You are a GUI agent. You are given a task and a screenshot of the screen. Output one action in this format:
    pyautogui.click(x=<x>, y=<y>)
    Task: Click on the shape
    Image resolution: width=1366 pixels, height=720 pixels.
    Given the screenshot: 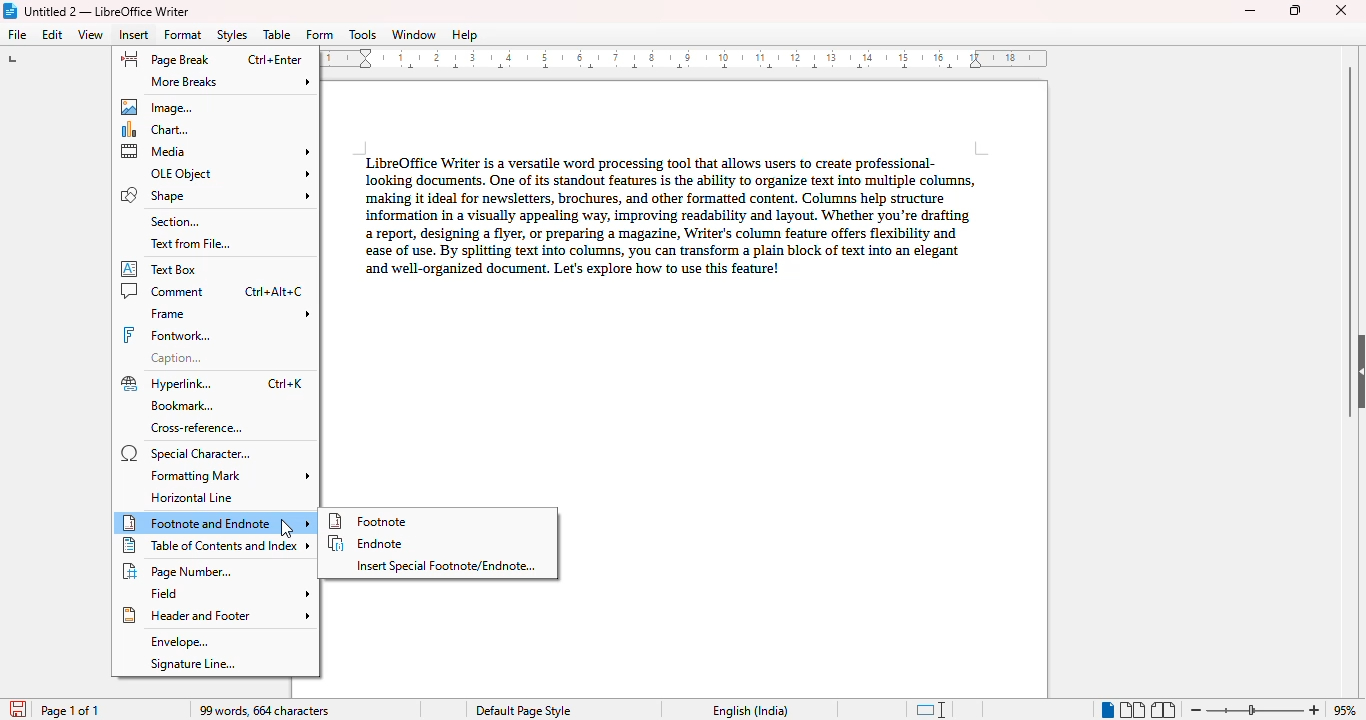 What is the action you would take?
    pyautogui.click(x=216, y=196)
    